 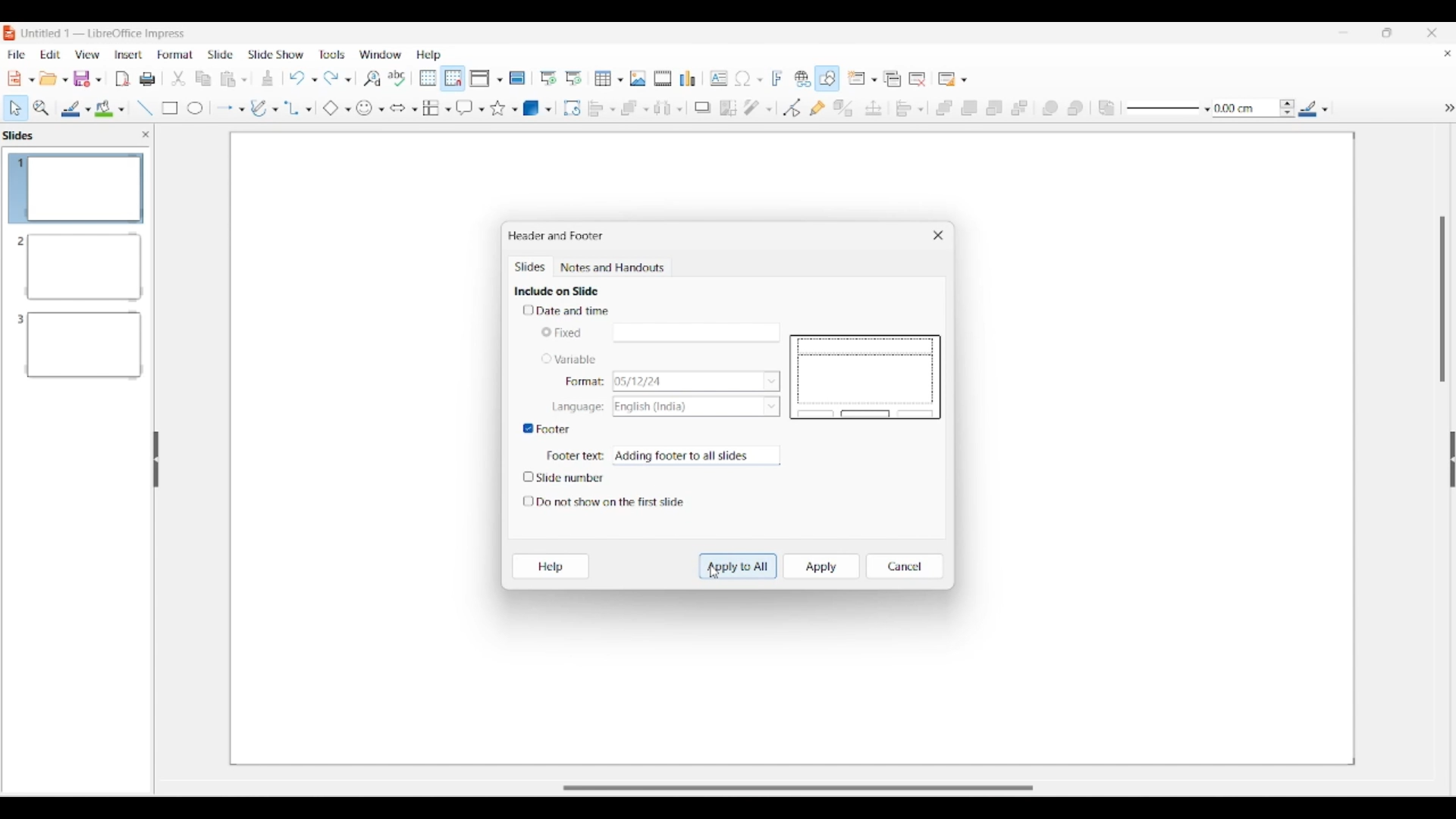 I want to click on Behind object, so click(x=1075, y=108).